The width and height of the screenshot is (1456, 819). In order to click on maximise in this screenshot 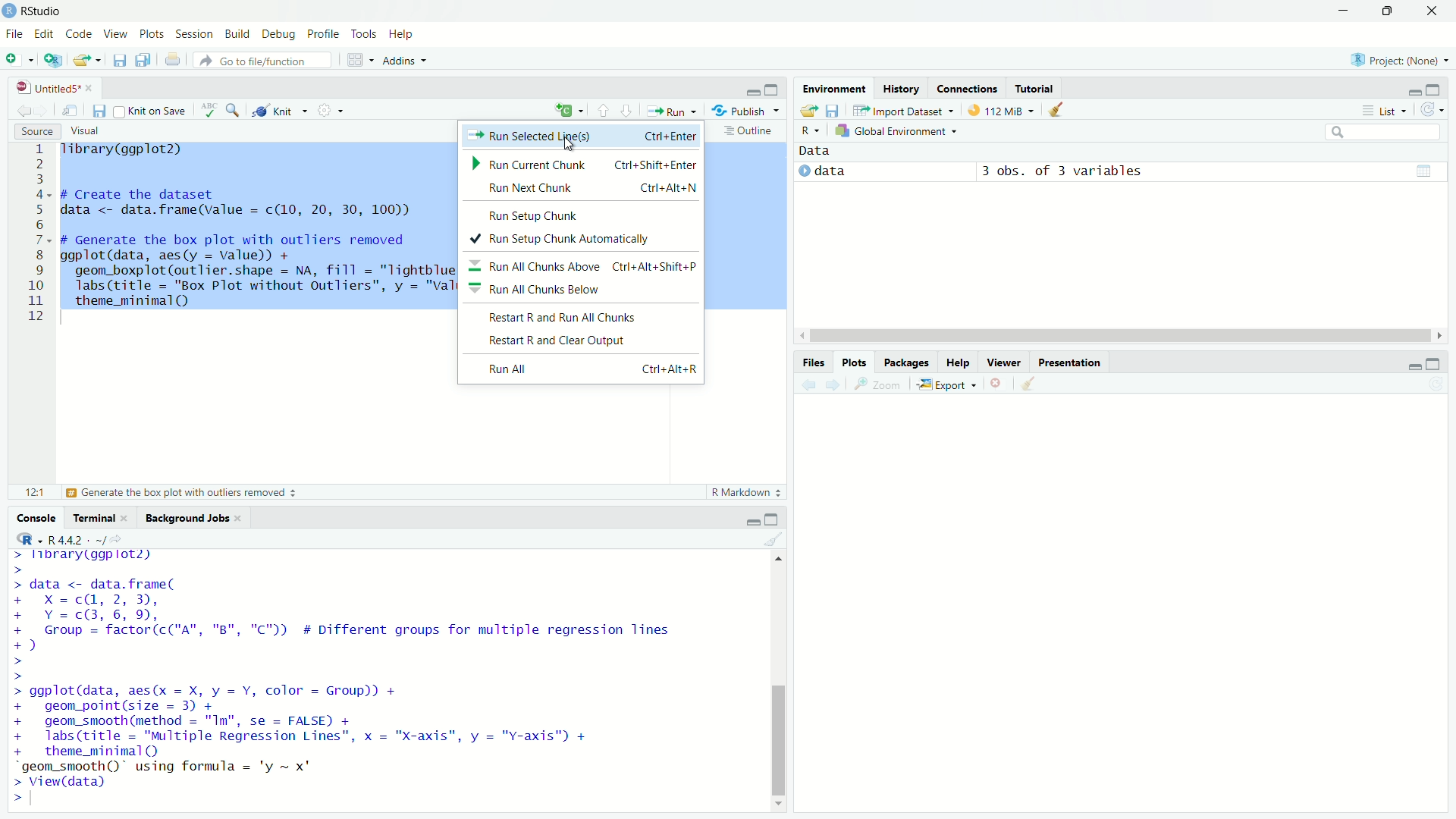, I will do `click(1435, 366)`.